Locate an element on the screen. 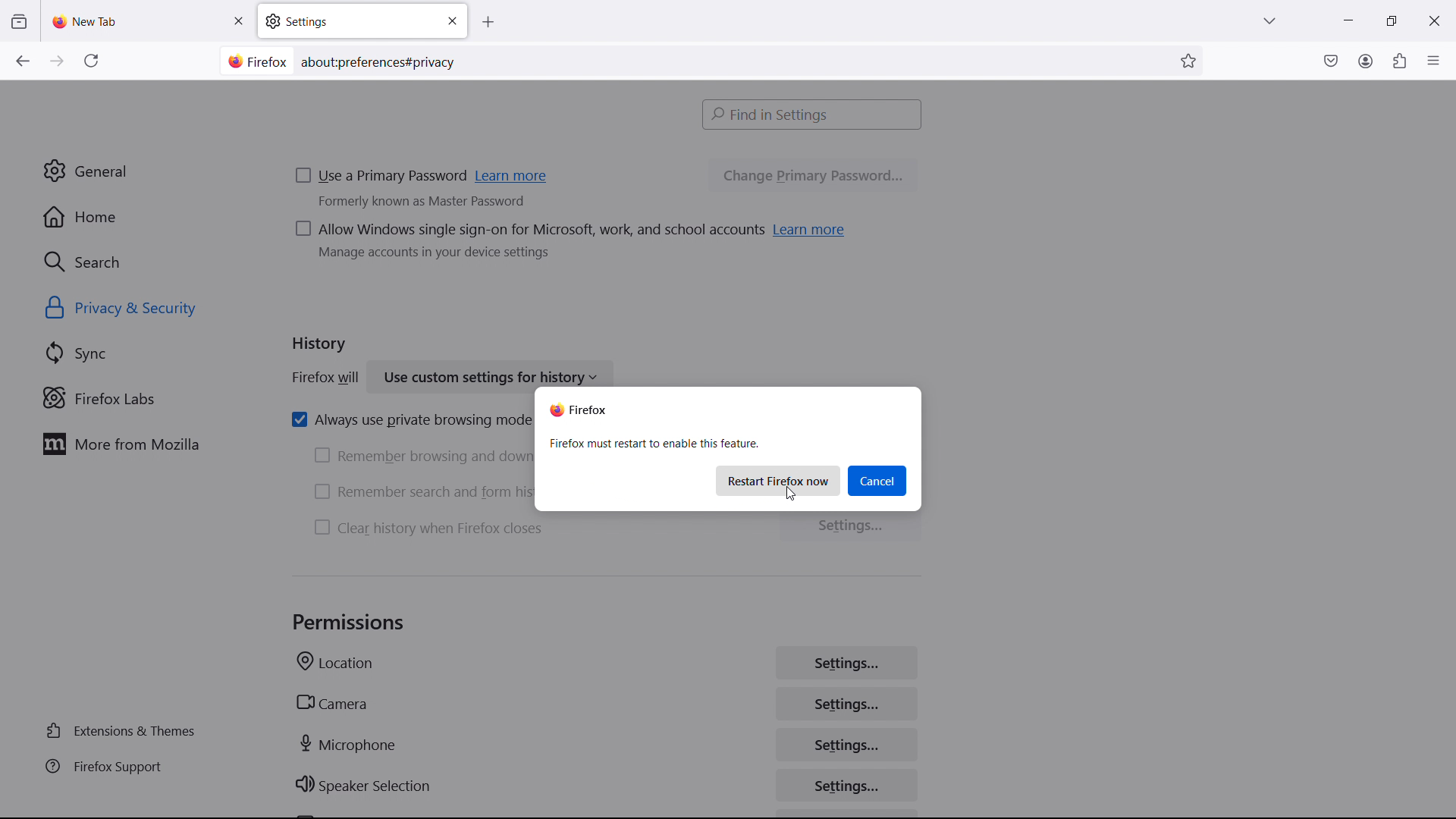 Image resolution: width=1456 pixels, height=819 pixels. location is located at coordinates (335, 664).